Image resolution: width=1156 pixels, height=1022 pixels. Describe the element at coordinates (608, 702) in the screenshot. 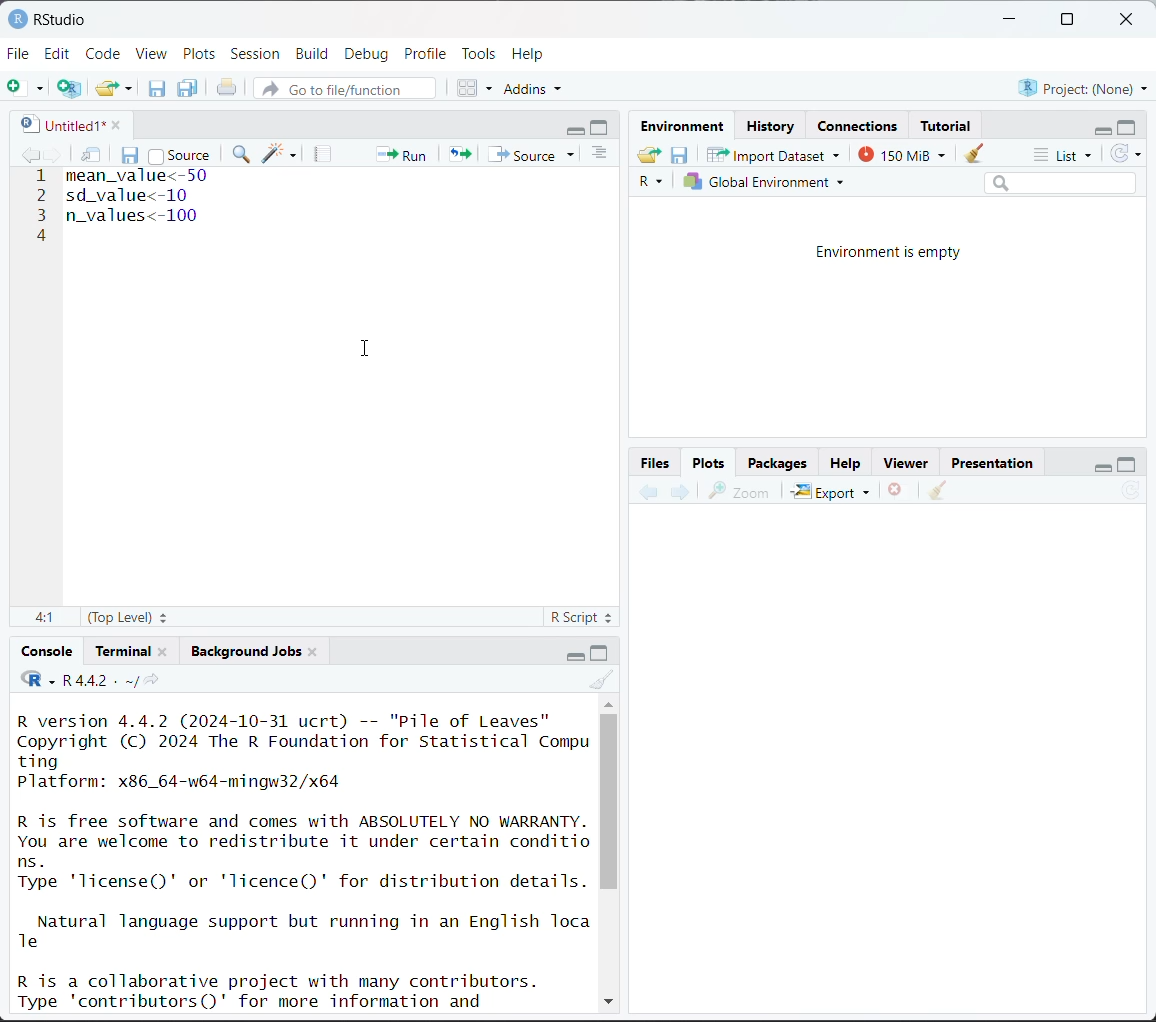

I see `up` at that location.